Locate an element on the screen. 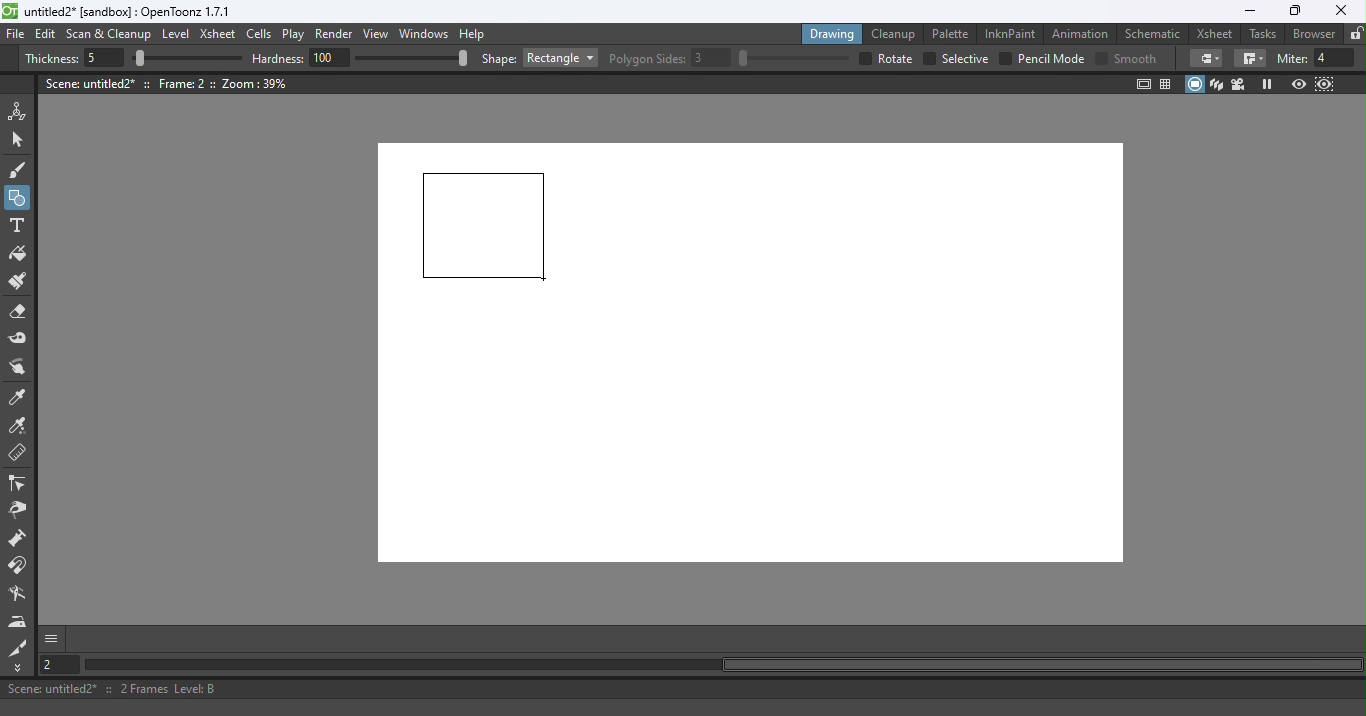  RGB picker tool is located at coordinates (21, 427).